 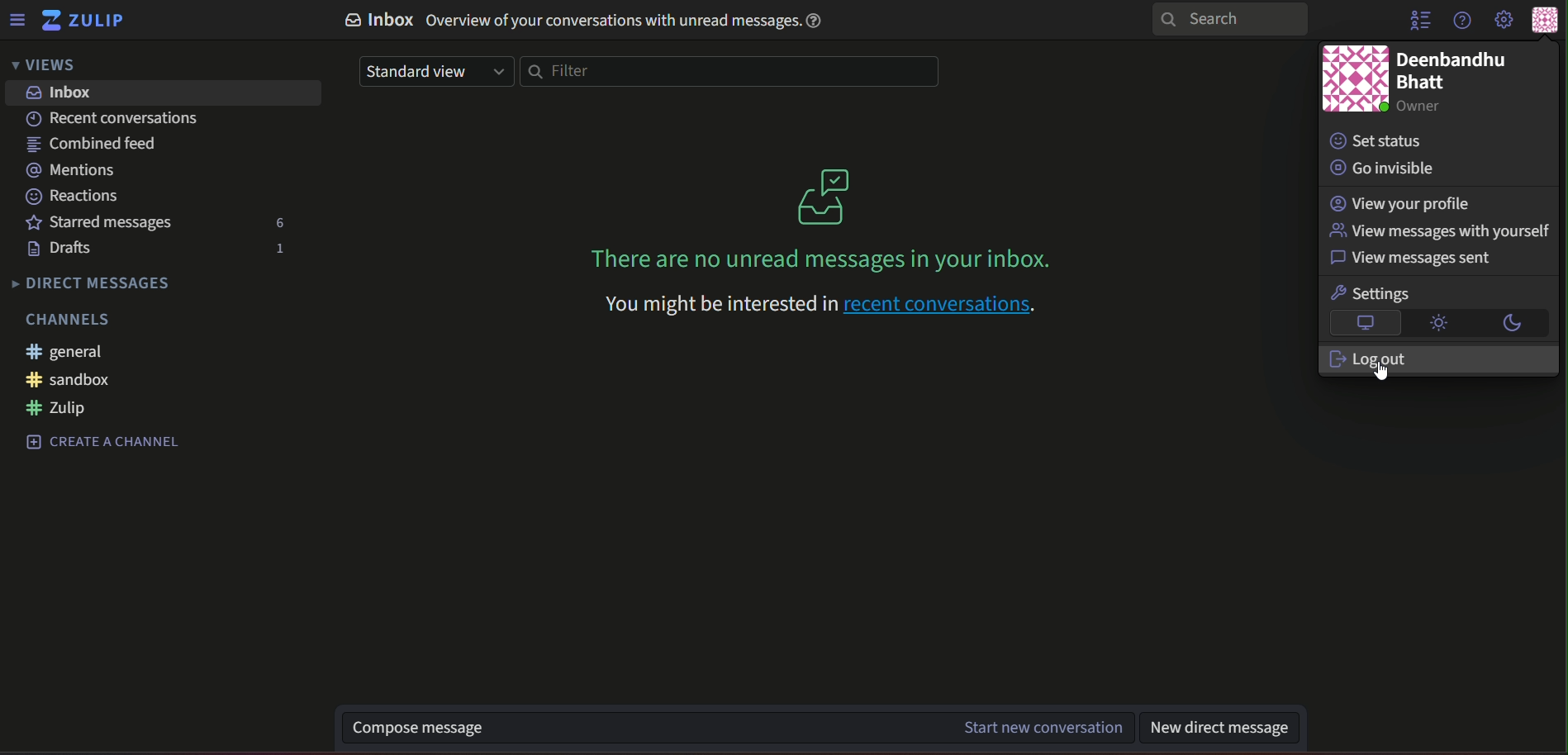 What do you see at coordinates (96, 284) in the screenshot?
I see `text` at bounding box center [96, 284].